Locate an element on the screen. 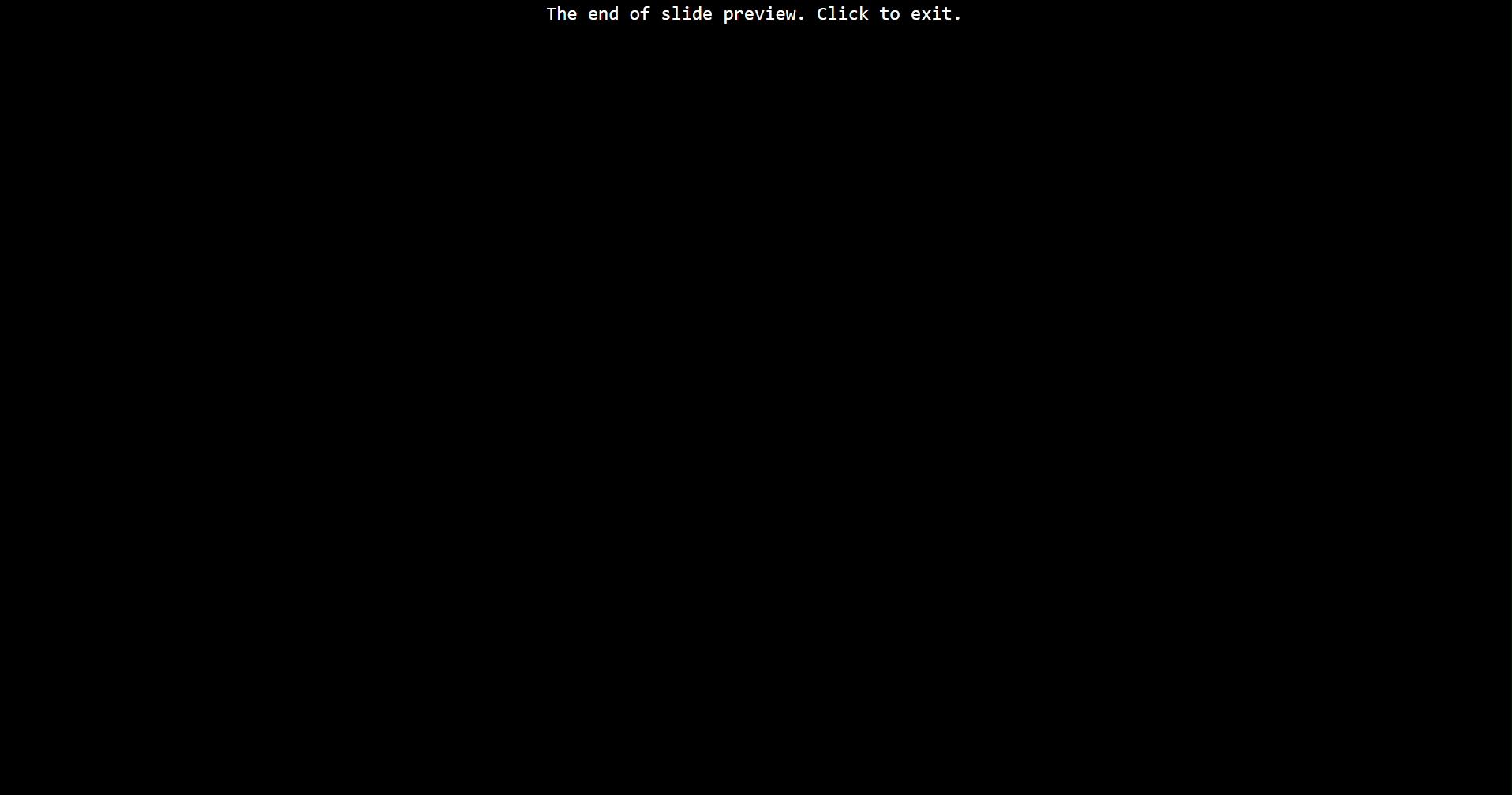 The height and width of the screenshot is (795, 1512). The end of slide preview. Click to exit. is located at coordinates (754, 17).